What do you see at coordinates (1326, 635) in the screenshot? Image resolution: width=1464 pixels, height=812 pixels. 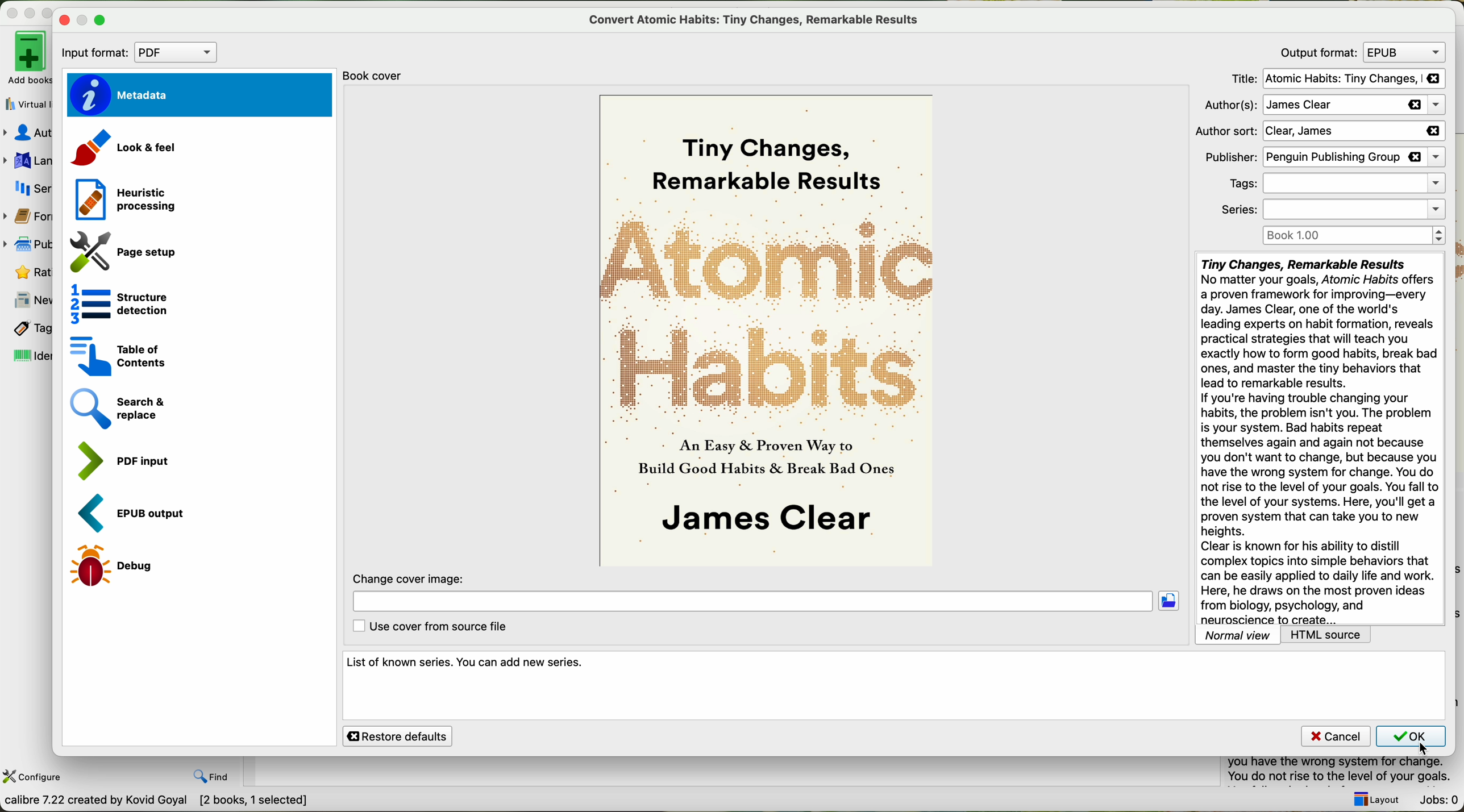 I see `HTML source` at bounding box center [1326, 635].